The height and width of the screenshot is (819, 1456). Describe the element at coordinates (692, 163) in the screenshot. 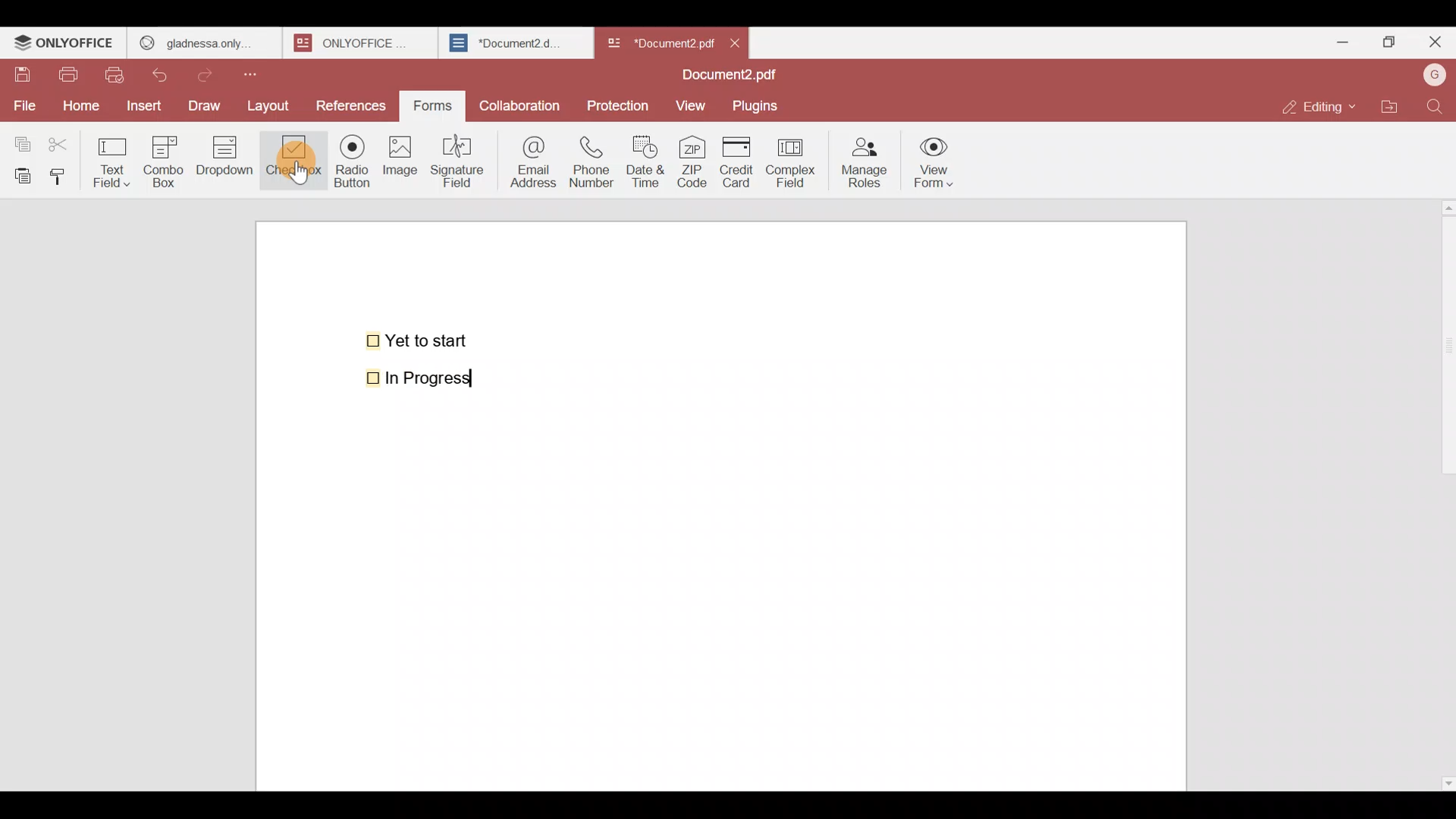

I see `ZIP code` at that location.